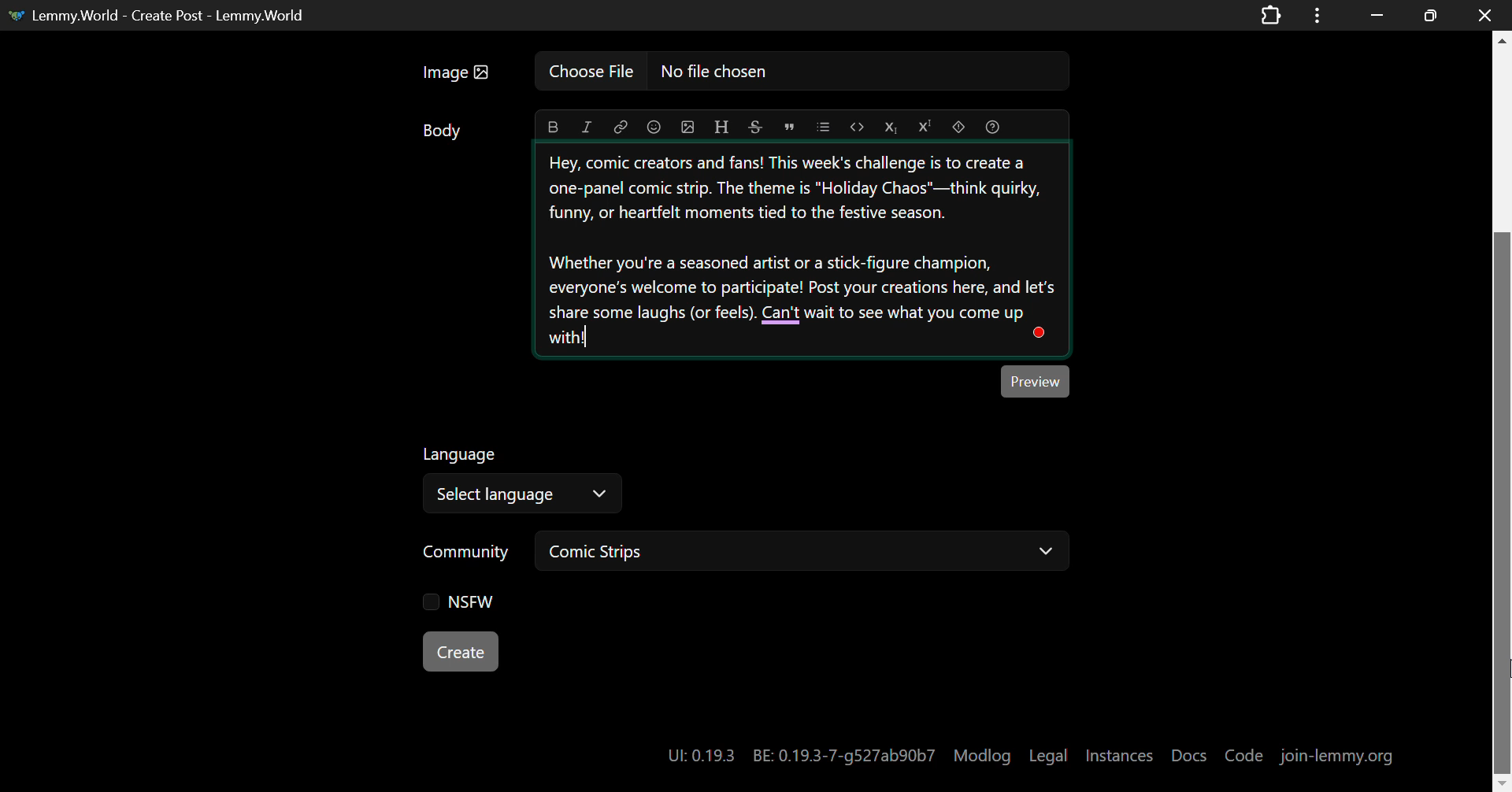  Describe the element at coordinates (790, 126) in the screenshot. I see `quote` at that location.